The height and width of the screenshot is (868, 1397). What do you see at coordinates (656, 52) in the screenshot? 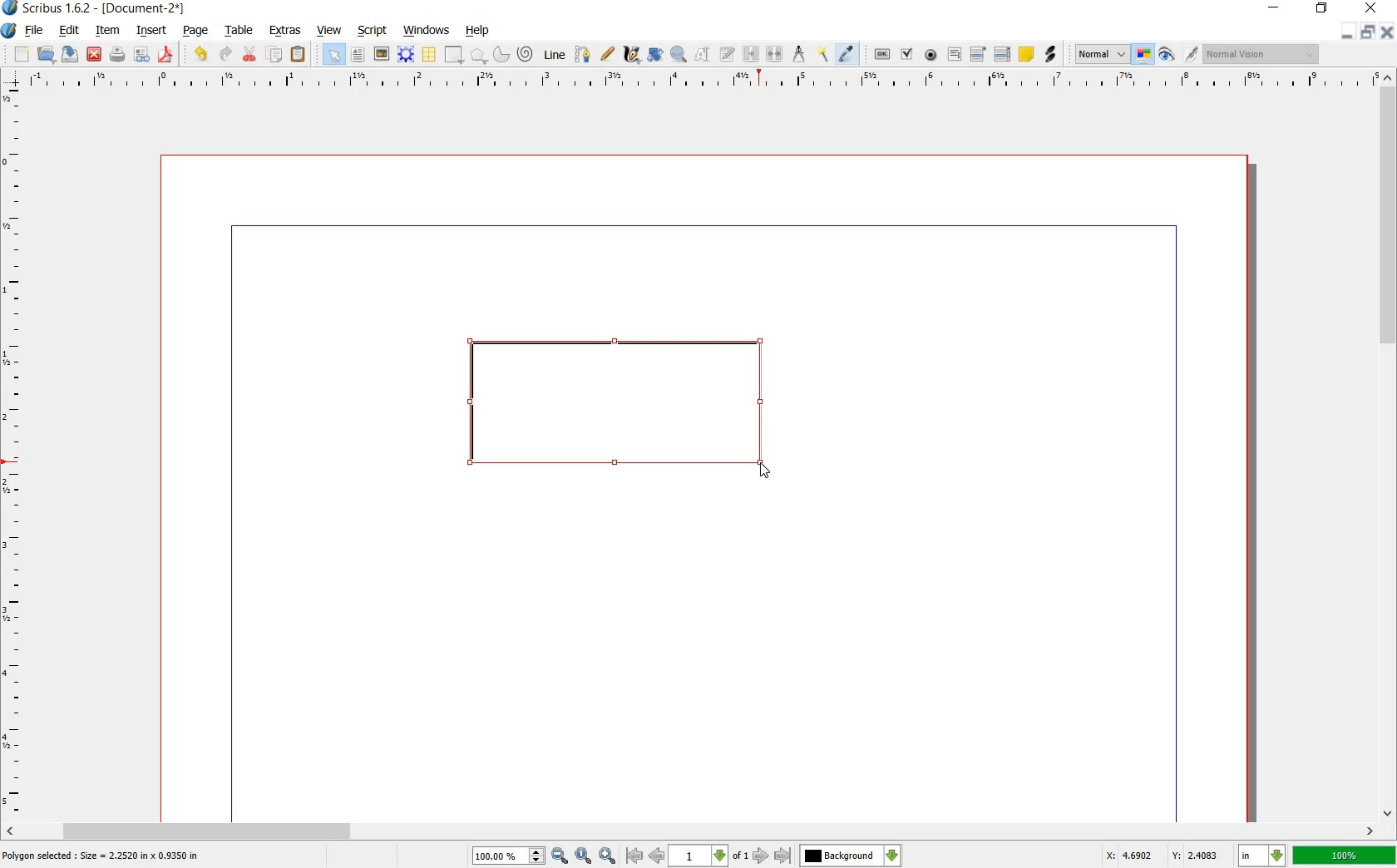
I see `ROTATE ITEM` at bounding box center [656, 52].